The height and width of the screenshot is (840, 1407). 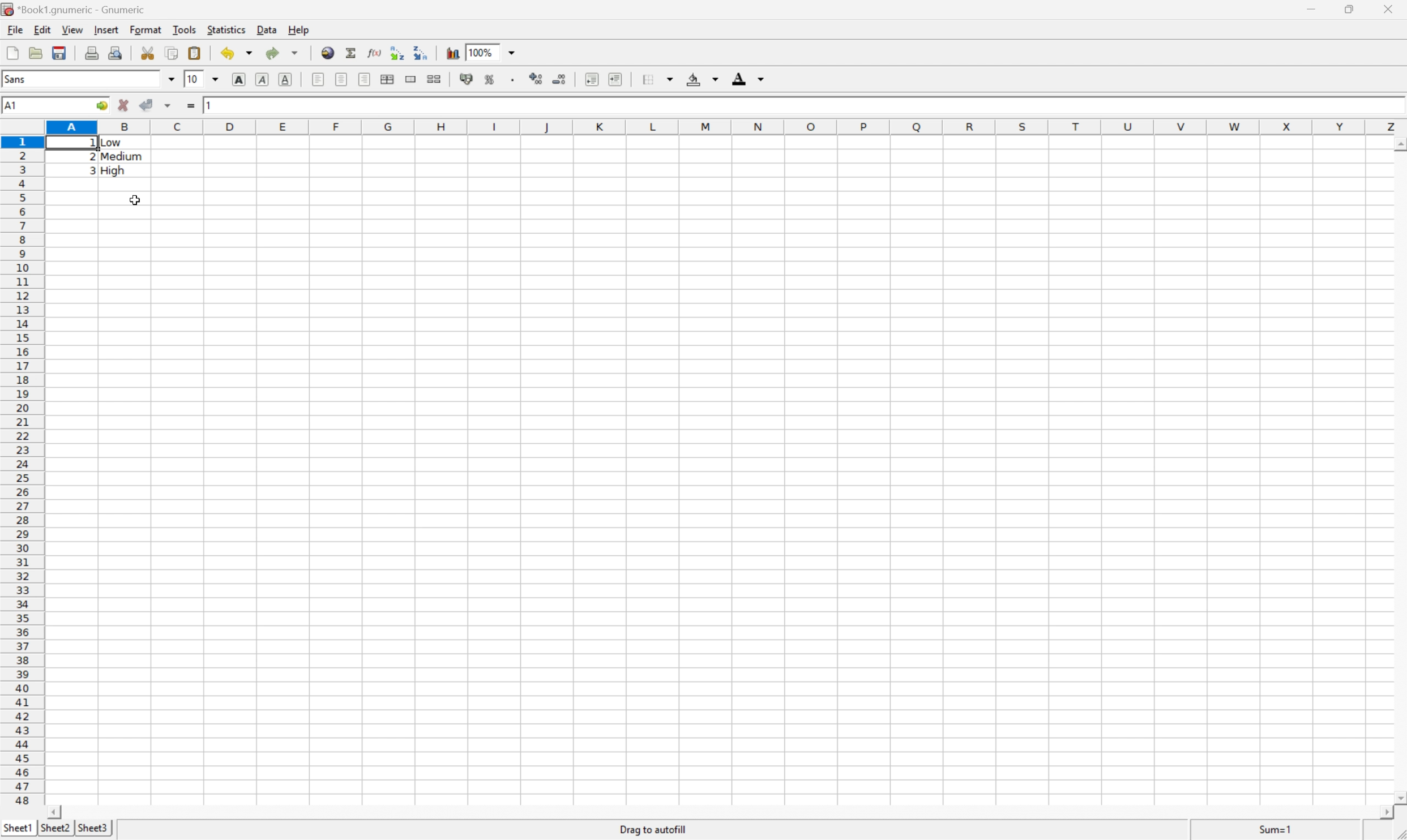 What do you see at coordinates (423, 54) in the screenshot?
I see `Sort the selected region in descending order based on the first column selected` at bounding box center [423, 54].